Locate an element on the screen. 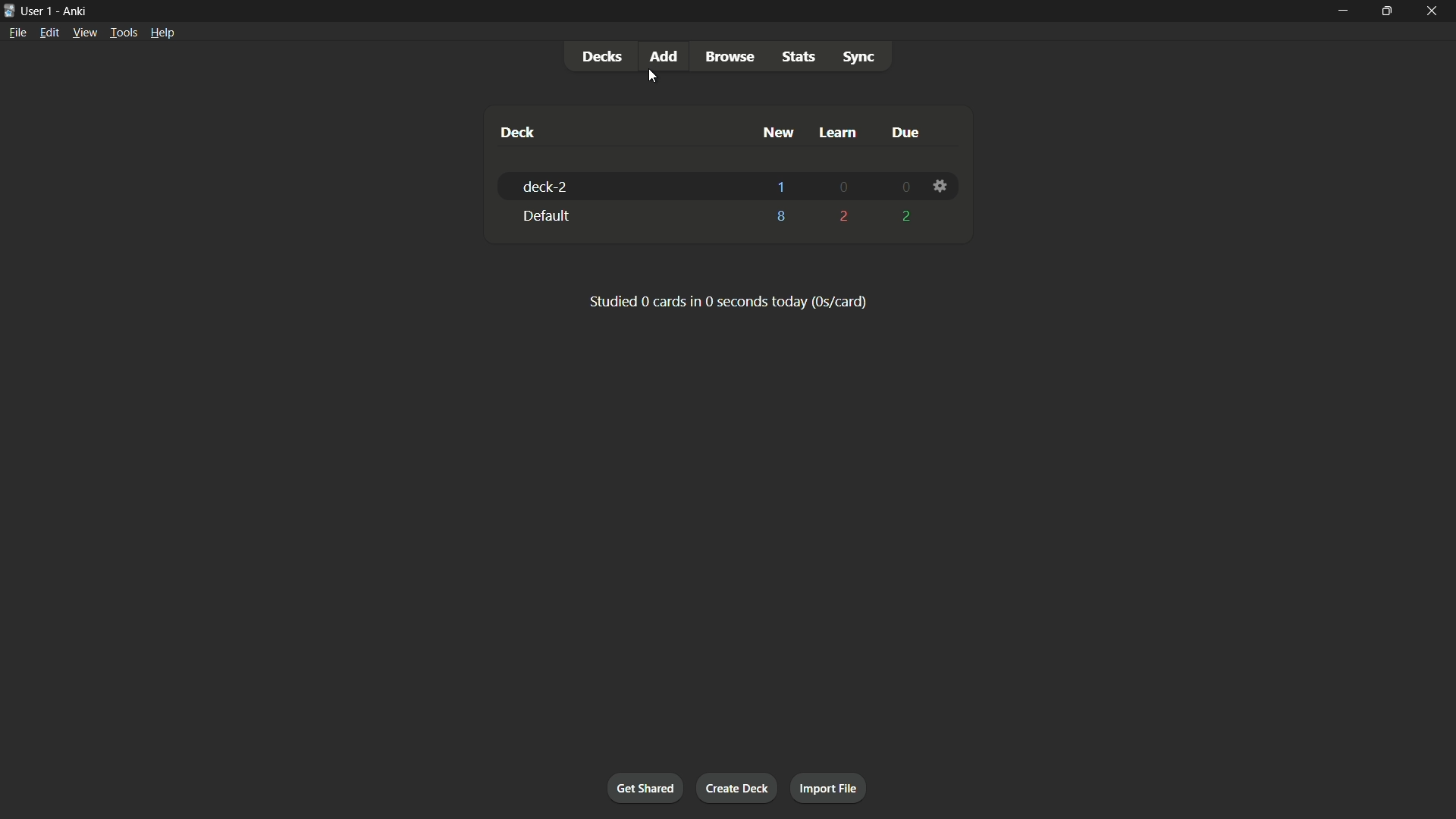  create  deck is located at coordinates (738, 788).